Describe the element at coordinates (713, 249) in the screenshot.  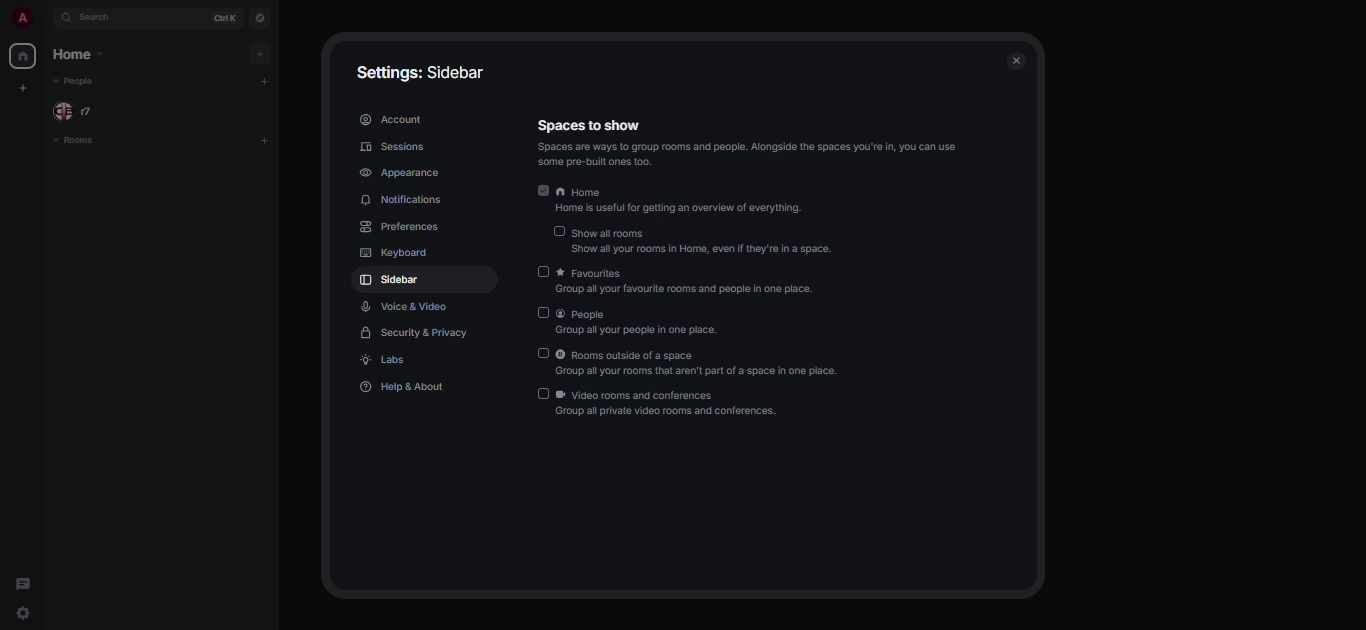
I see `‘Show all your rooms in Home, even if they're in a space.` at that location.